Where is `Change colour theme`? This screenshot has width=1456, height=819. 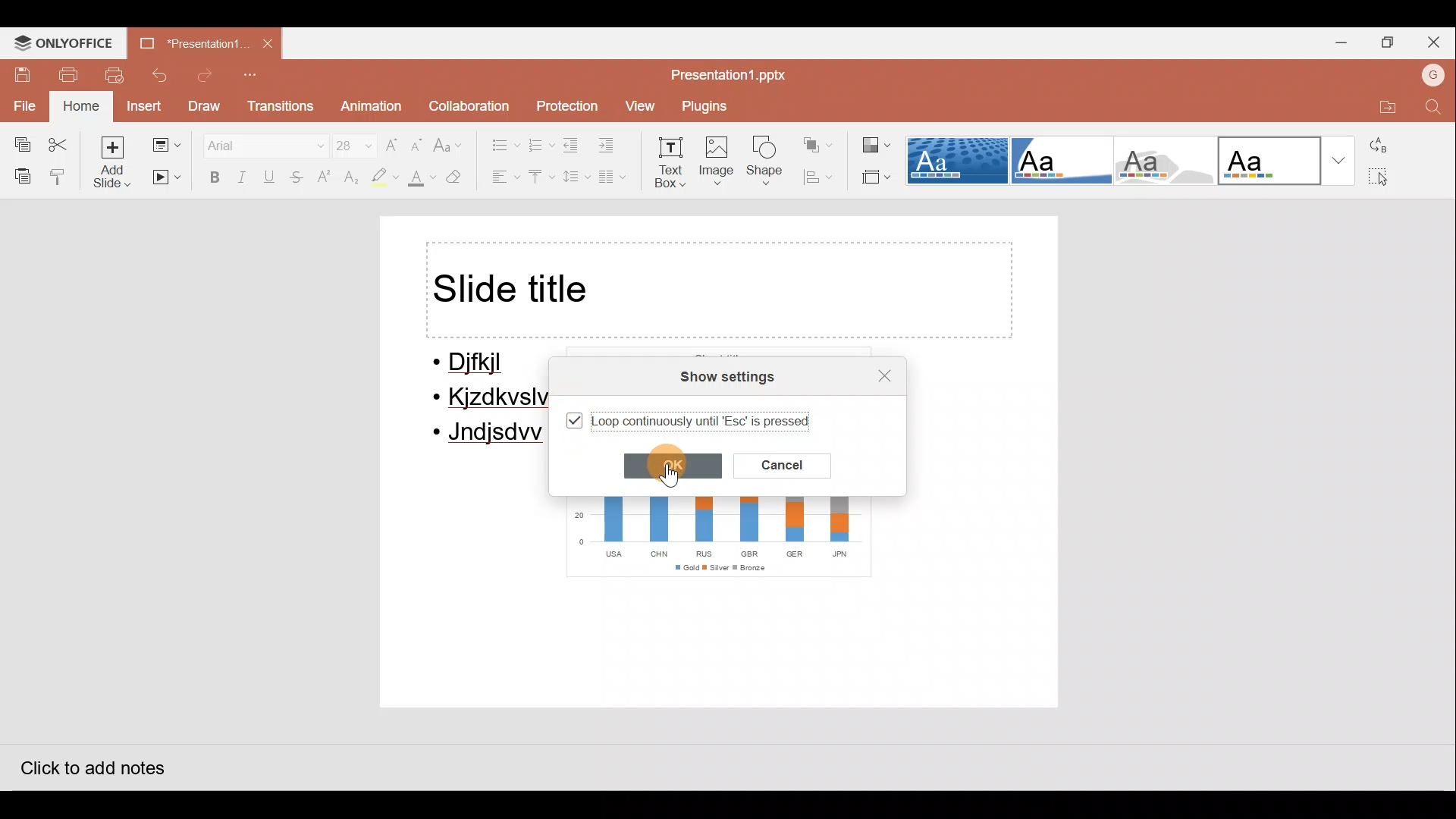 Change colour theme is located at coordinates (874, 146).